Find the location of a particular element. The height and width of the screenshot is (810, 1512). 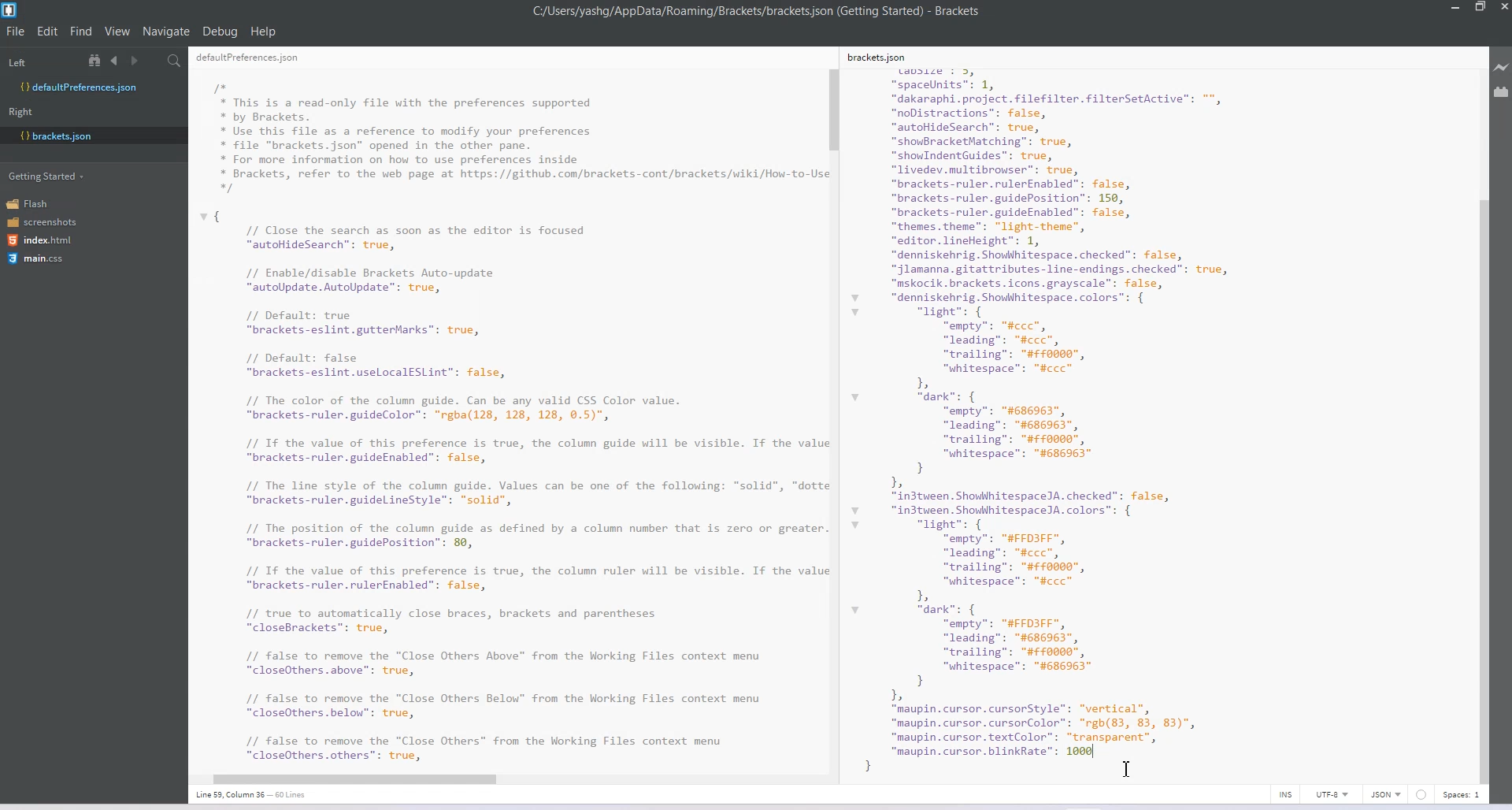

Navigate Forward is located at coordinates (136, 61).